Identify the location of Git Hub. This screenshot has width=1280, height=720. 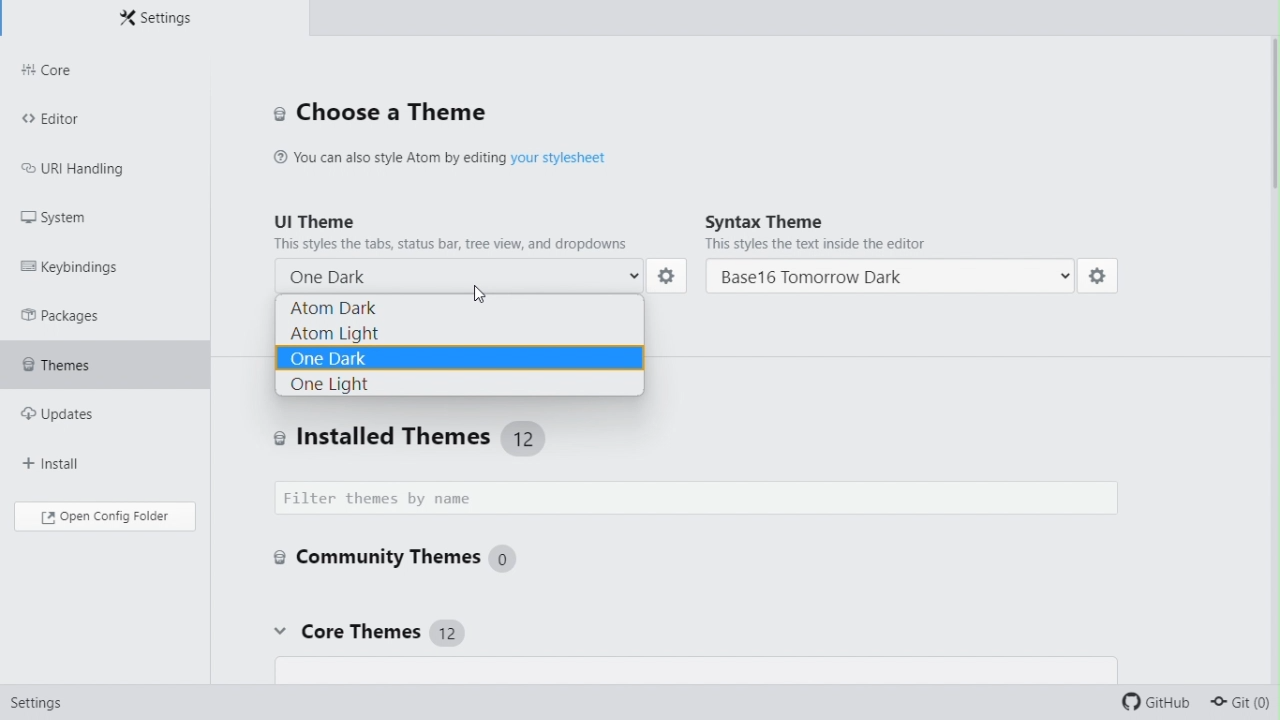
(1160, 705).